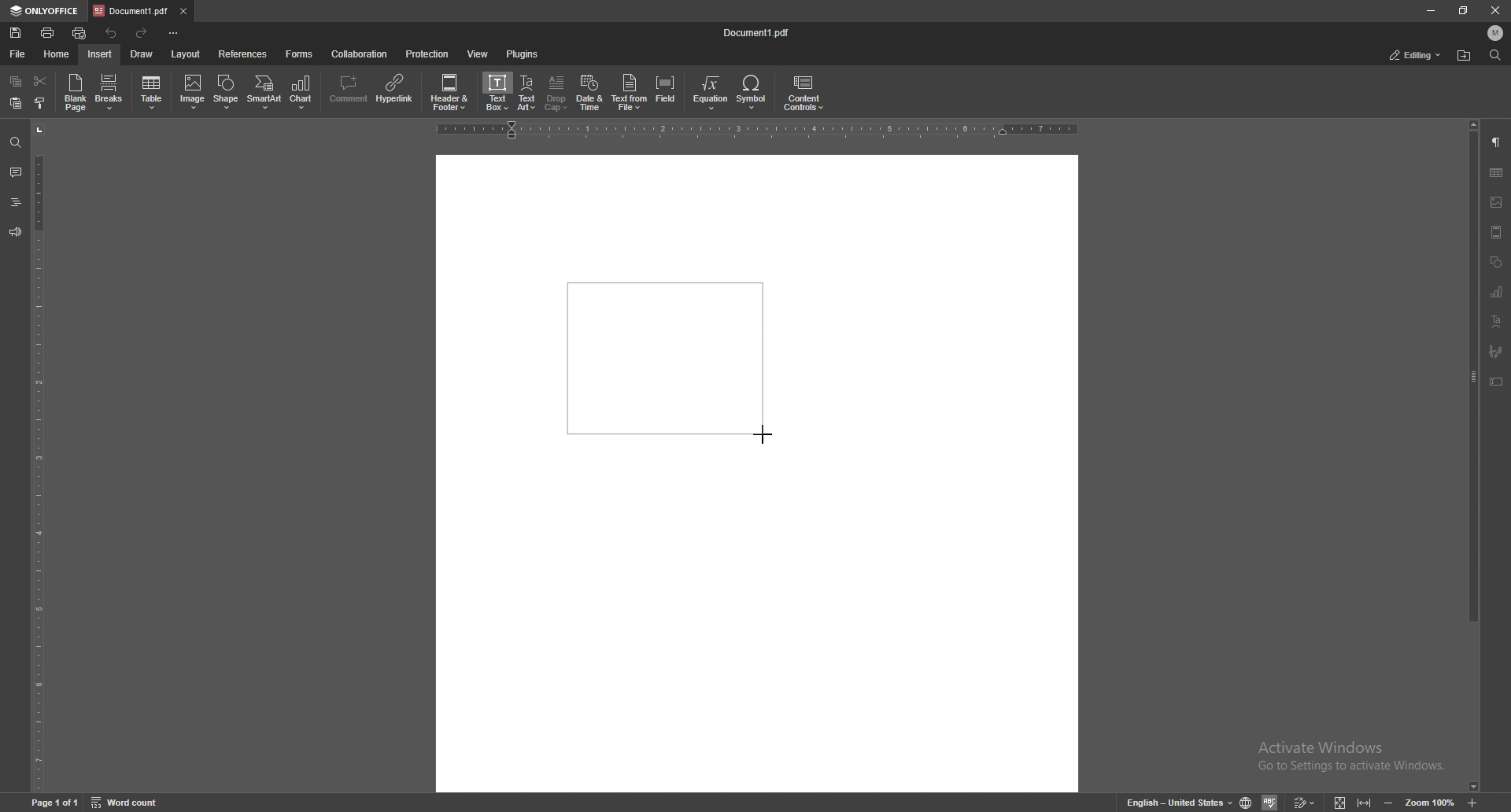  I want to click on file name, so click(758, 31).